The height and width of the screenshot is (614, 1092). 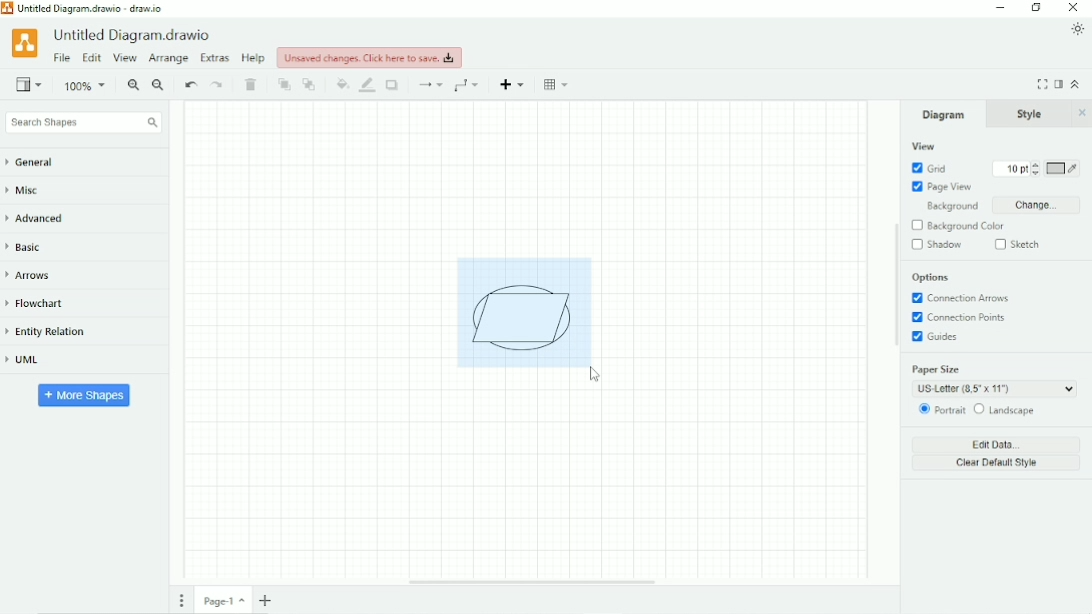 What do you see at coordinates (1020, 244) in the screenshot?
I see `Sketch` at bounding box center [1020, 244].